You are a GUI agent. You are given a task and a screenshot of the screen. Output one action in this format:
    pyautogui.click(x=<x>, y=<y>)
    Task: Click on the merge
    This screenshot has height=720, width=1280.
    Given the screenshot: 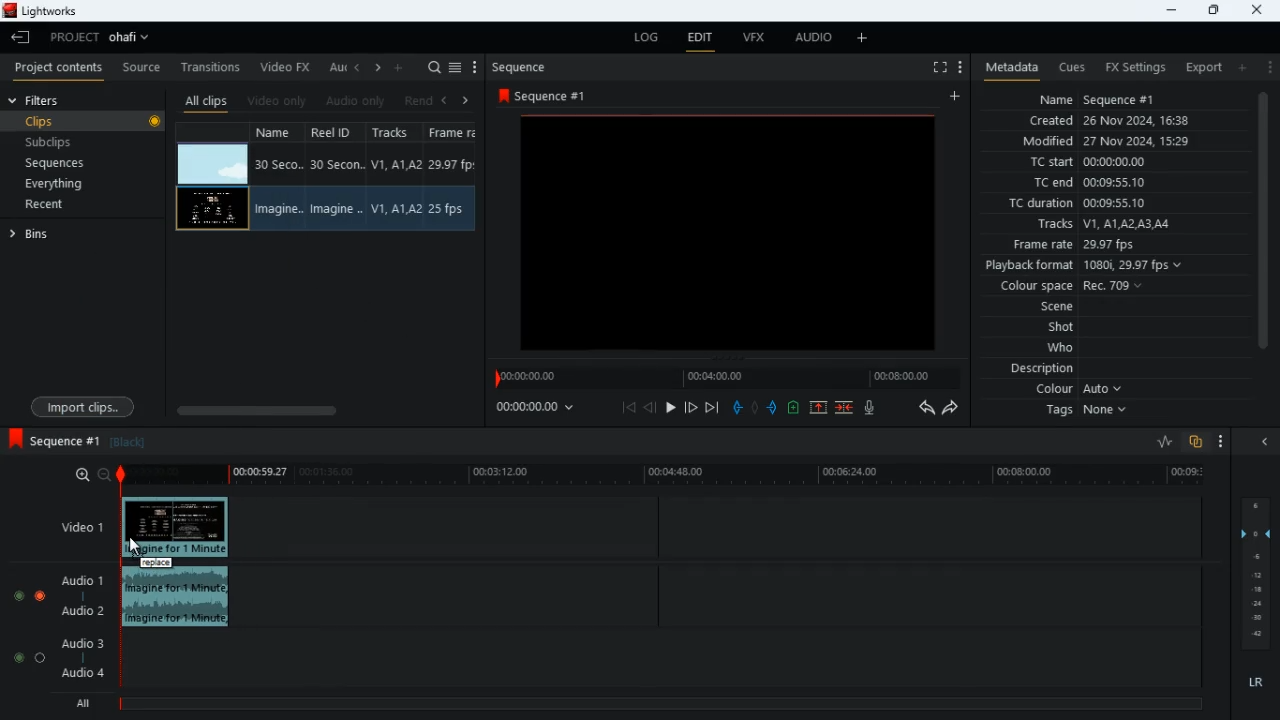 What is the action you would take?
    pyautogui.click(x=846, y=409)
    